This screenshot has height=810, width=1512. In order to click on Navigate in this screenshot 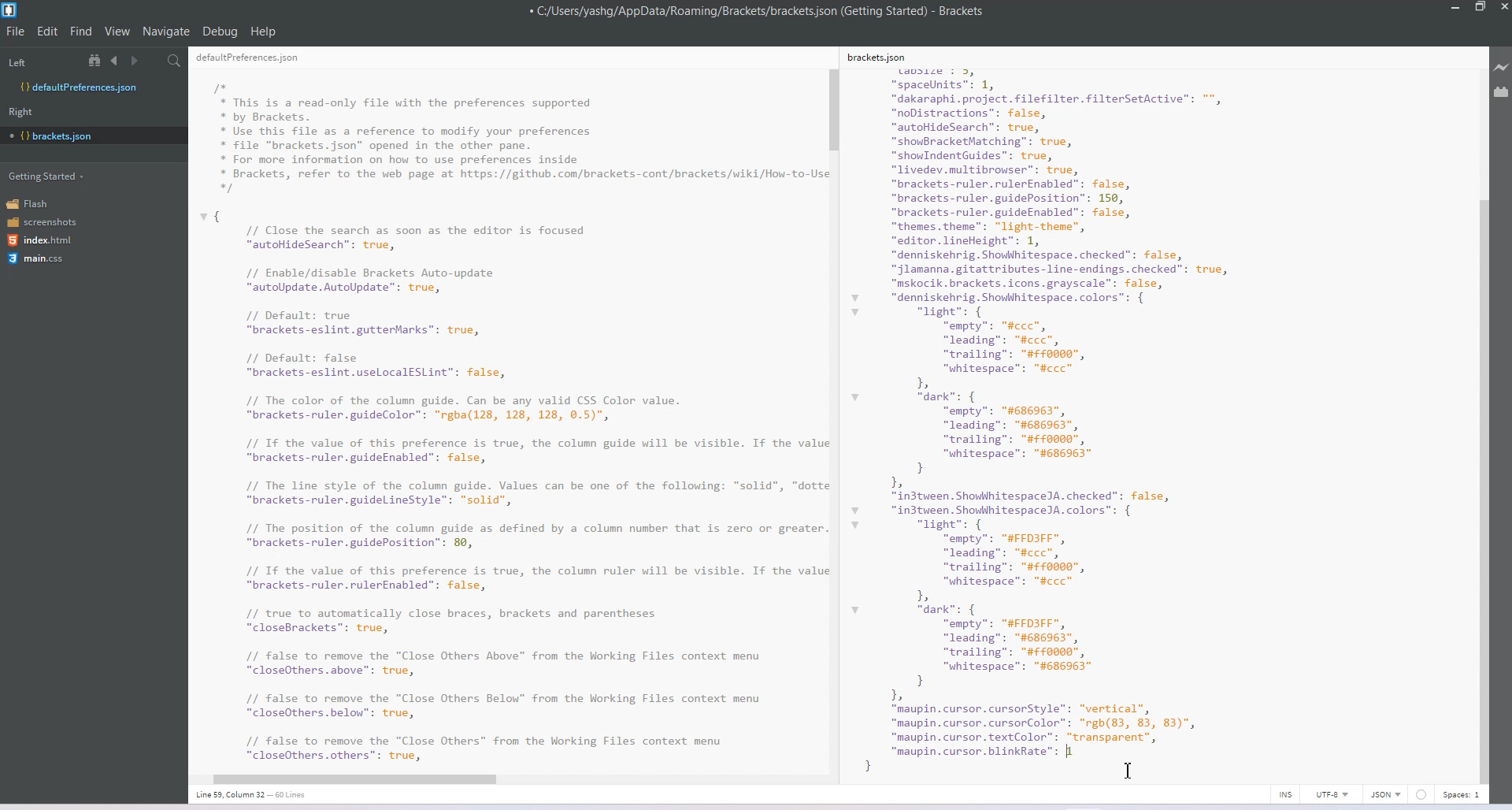, I will do `click(168, 32)`.